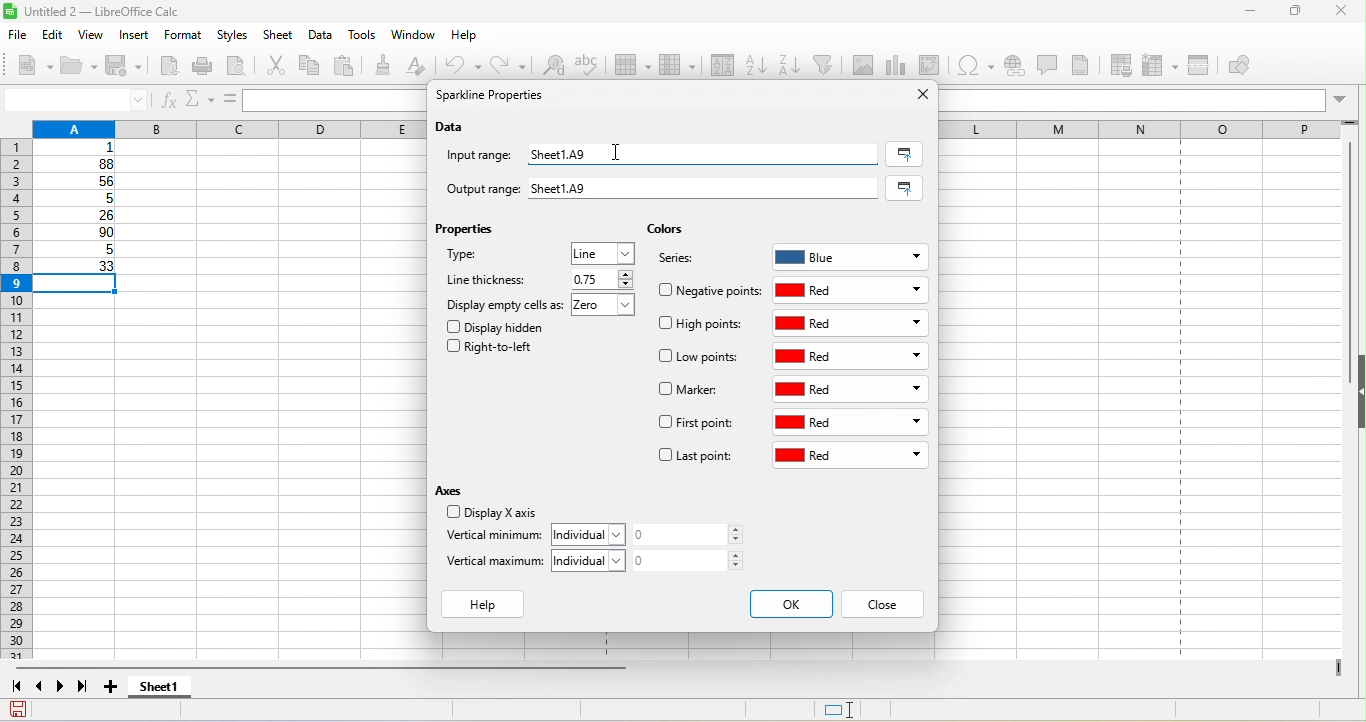 Image resolution: width=1366 pixels, height=722 pixels. Describe the element at coordinates (465, 39) in the screenshot. I see `help` at that location.